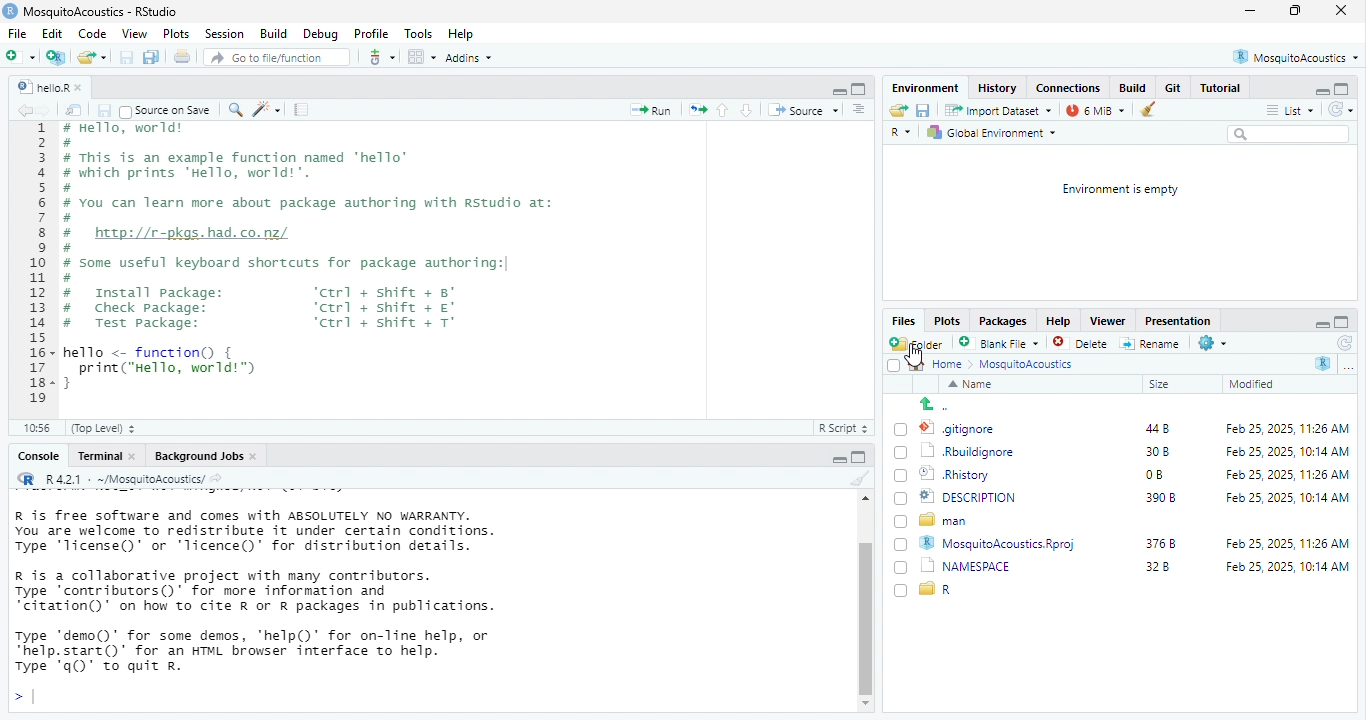 This screenshot has height=720, width=1366. What do you see at coordinates (1290, 429) in the screenshot?
I see `Feb 25, 2025, 11:26 AM.` at bounding box center [1290, 429].